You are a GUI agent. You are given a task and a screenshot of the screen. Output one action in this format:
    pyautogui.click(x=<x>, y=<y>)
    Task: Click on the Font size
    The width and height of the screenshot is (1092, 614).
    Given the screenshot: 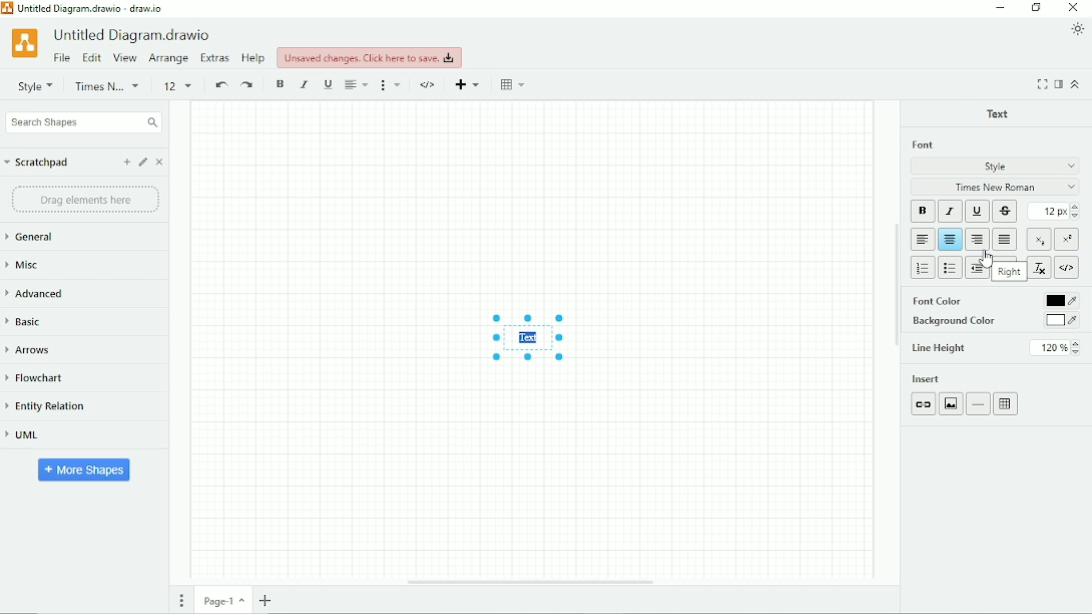 What is the action you would take?
    pyautogui.click(x=1055, y=212)
    